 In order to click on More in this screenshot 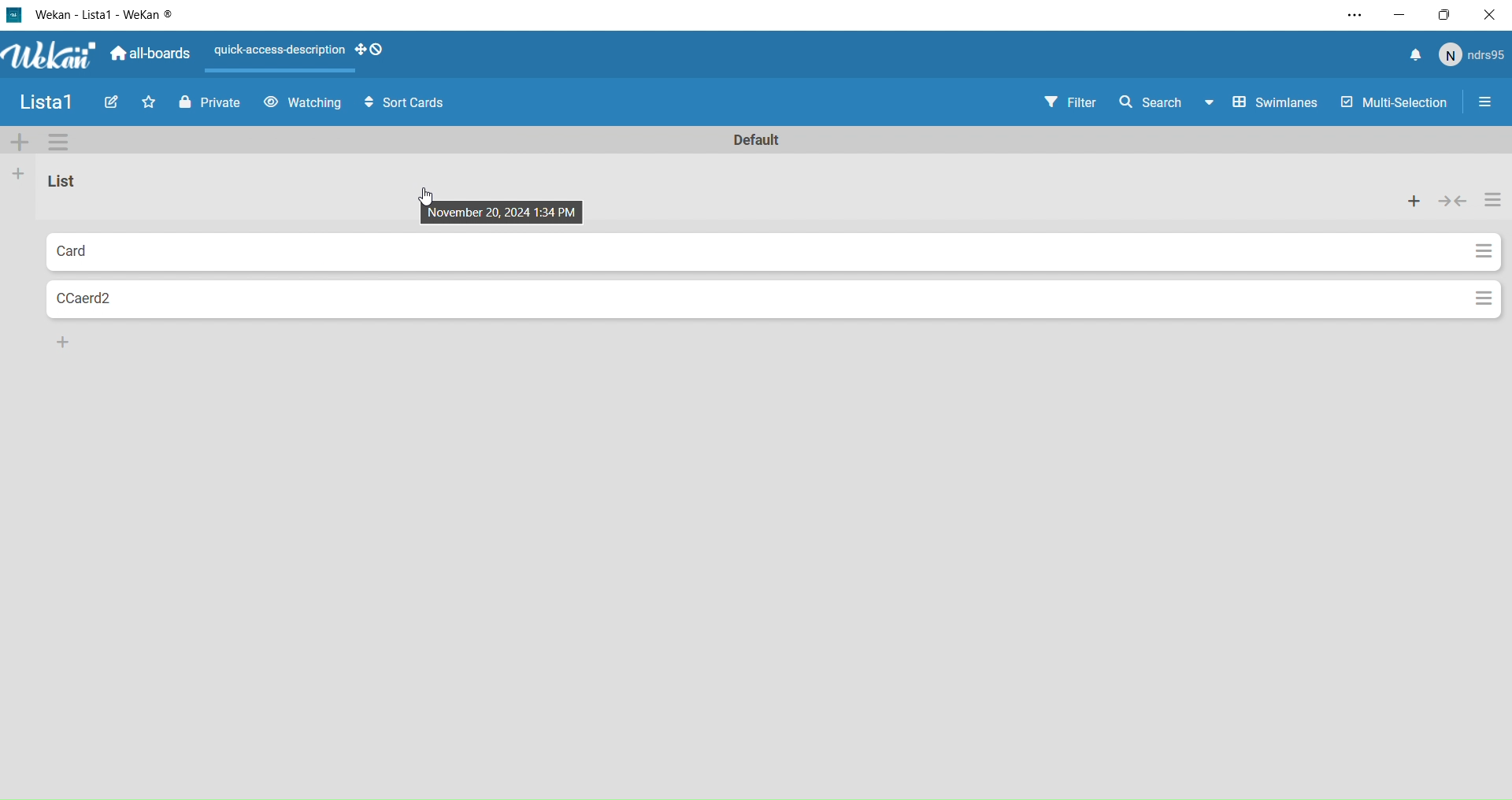, I will do `click(20, 142)`.